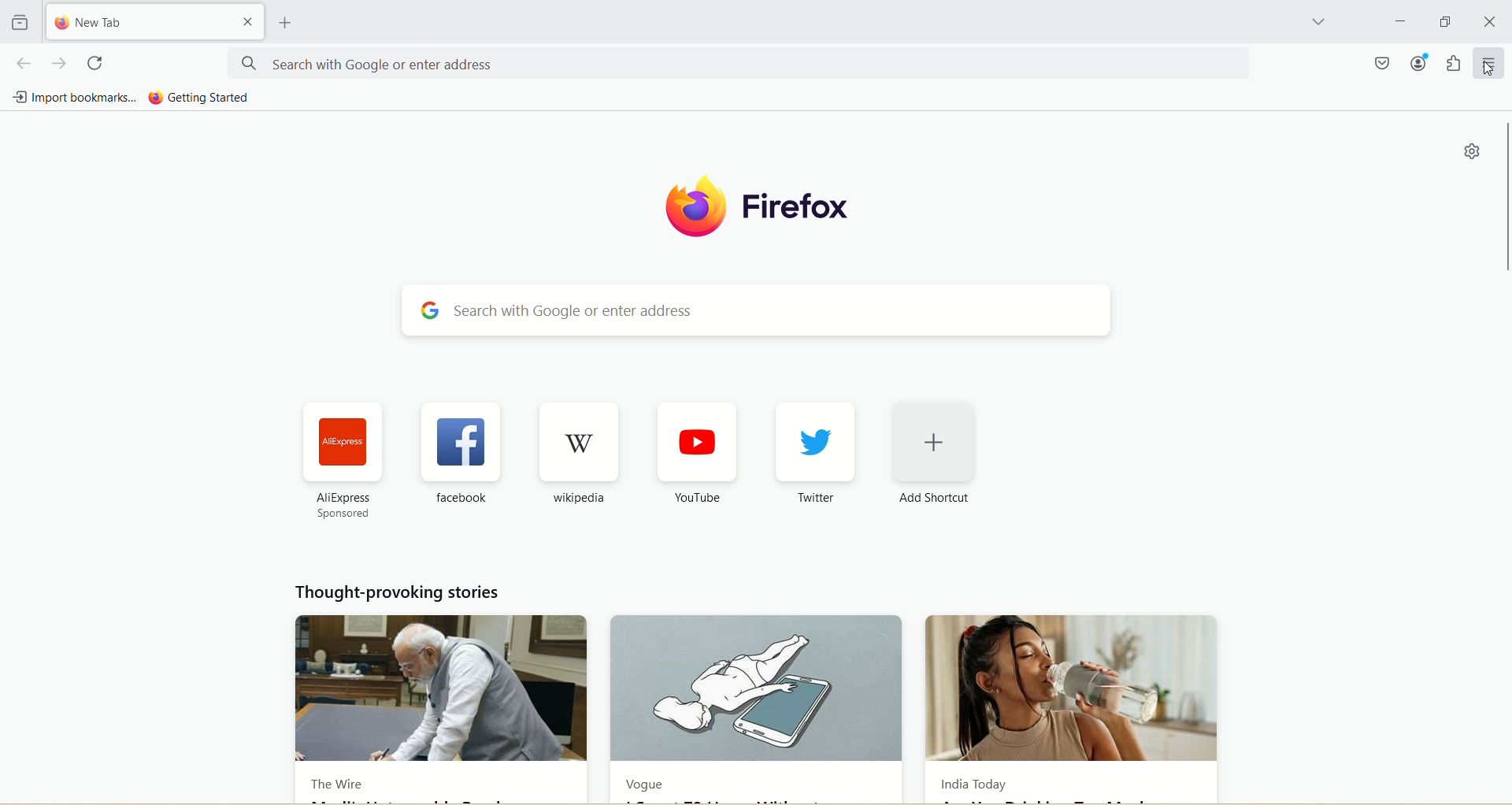  What do you see at coordinates (699, 442) in the screenshot?
I see `youtube` at bounding box center [699, 442].